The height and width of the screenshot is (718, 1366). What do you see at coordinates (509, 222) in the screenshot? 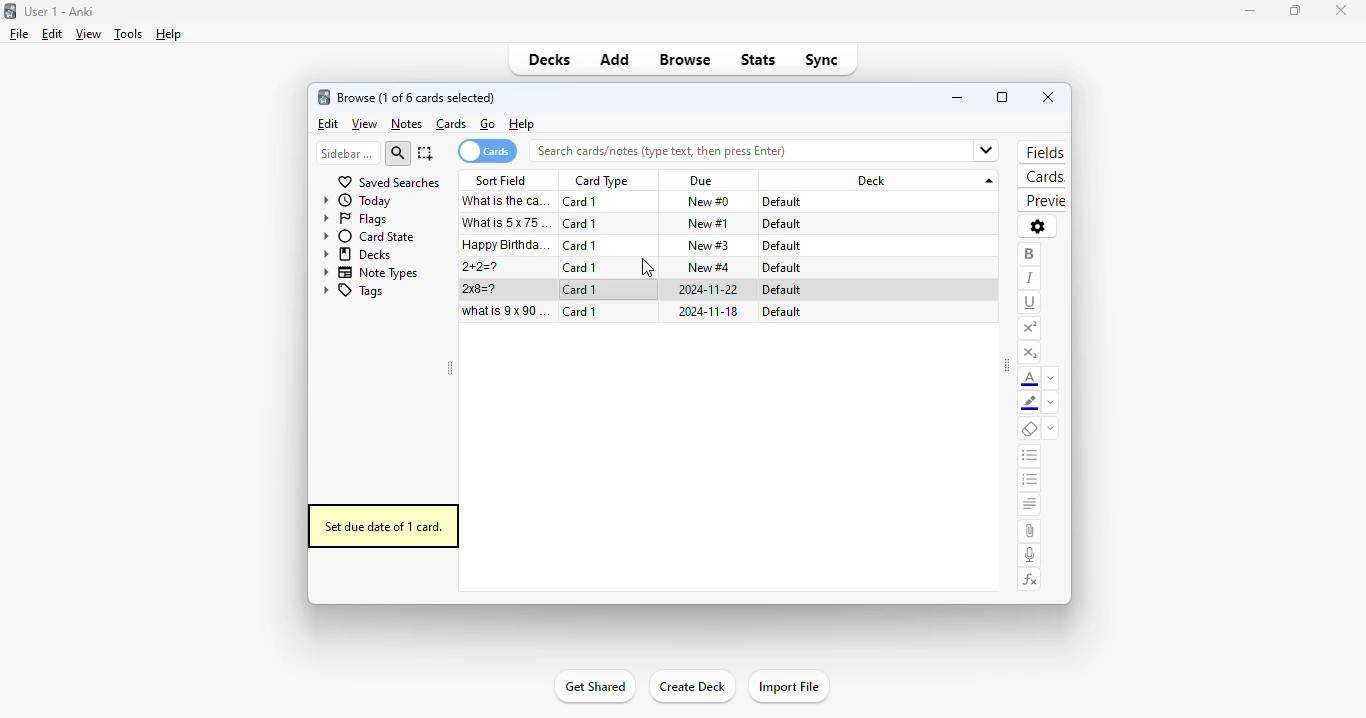
I see `what is 5x75=?` at bounding box center [509, 222].